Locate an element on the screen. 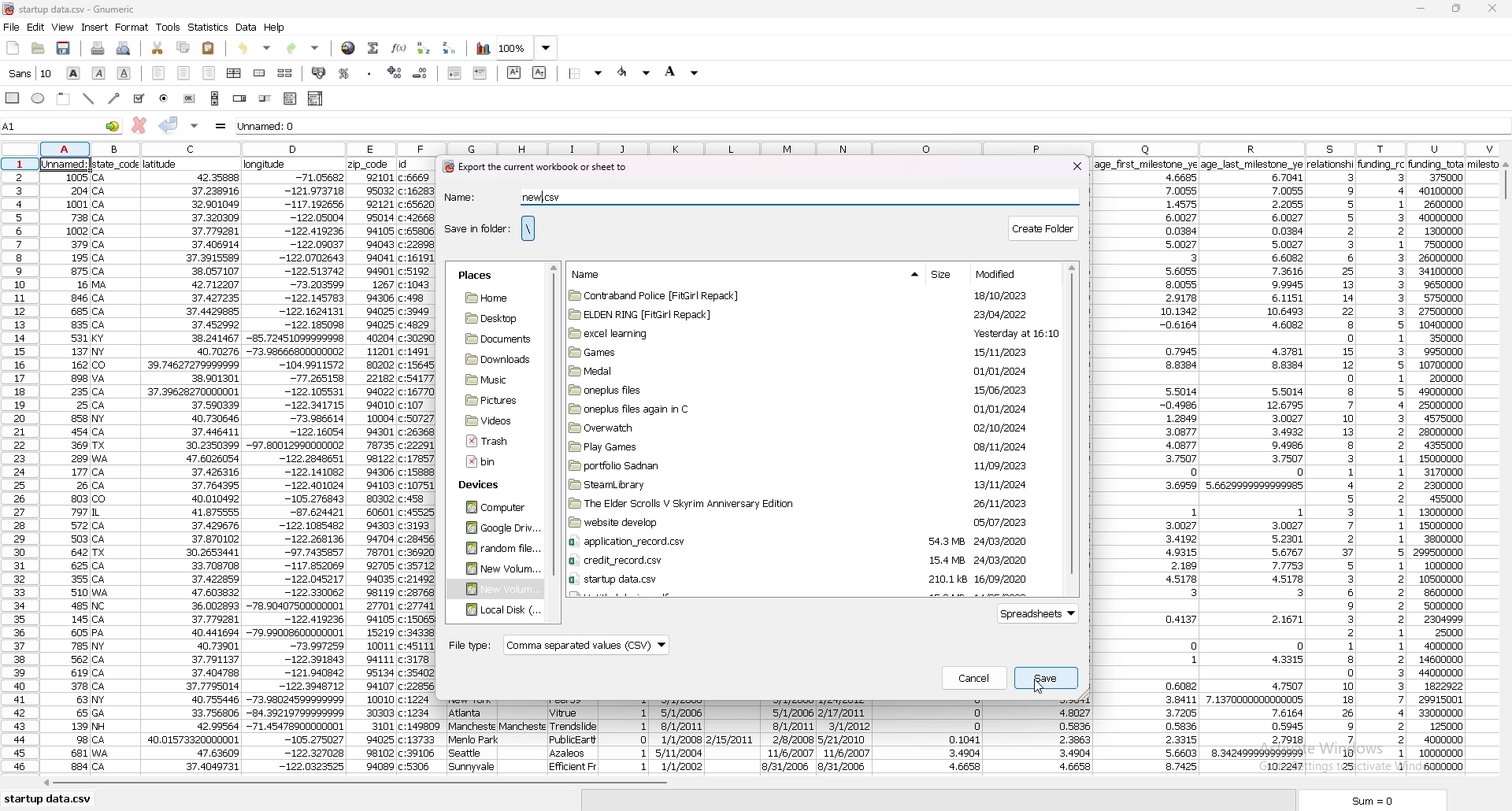 This screenshot has width=1512, height=811. hyperlink is located at coordinates (349, 47).